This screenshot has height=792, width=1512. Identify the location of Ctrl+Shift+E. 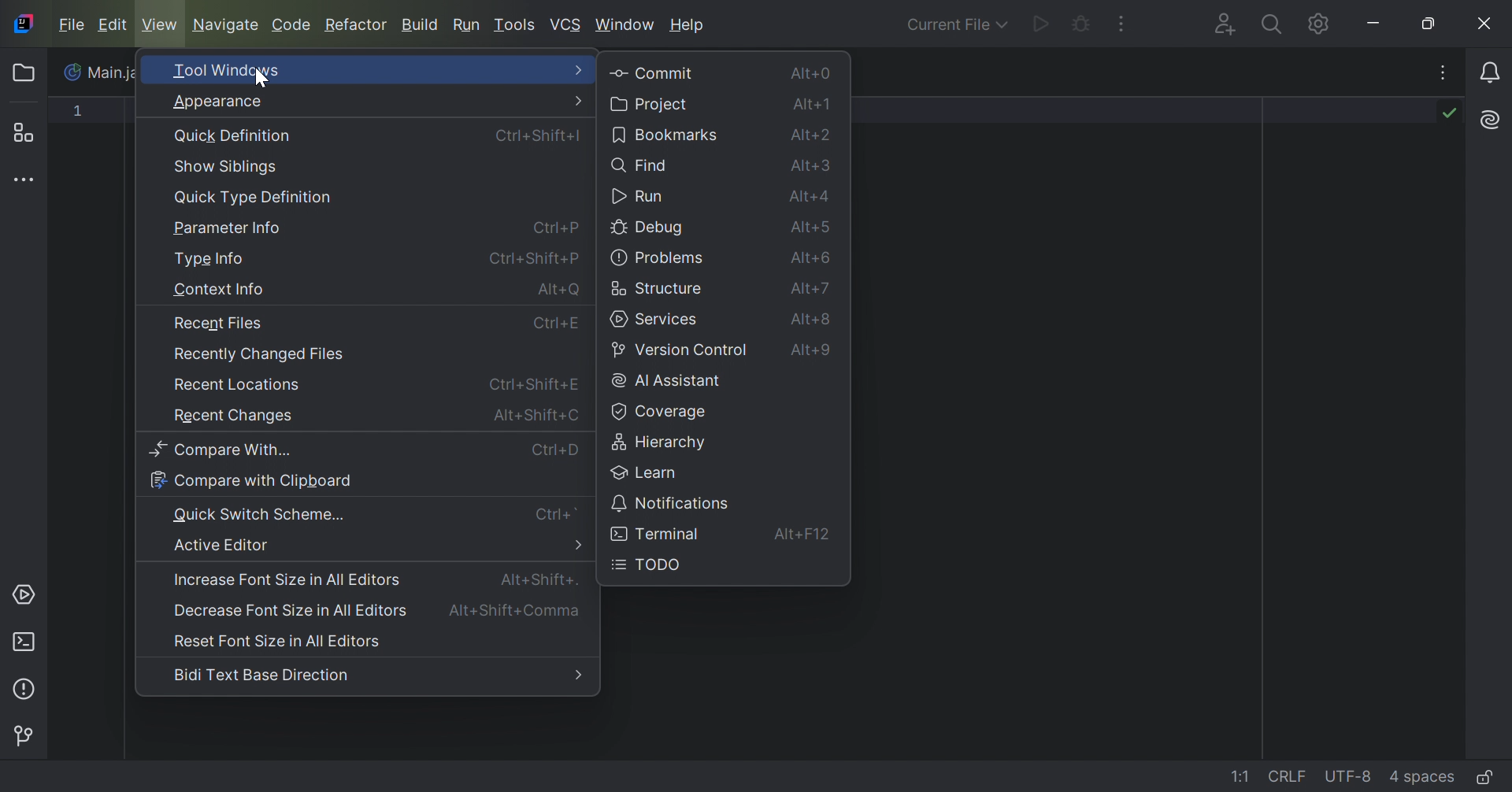
(537, 386).